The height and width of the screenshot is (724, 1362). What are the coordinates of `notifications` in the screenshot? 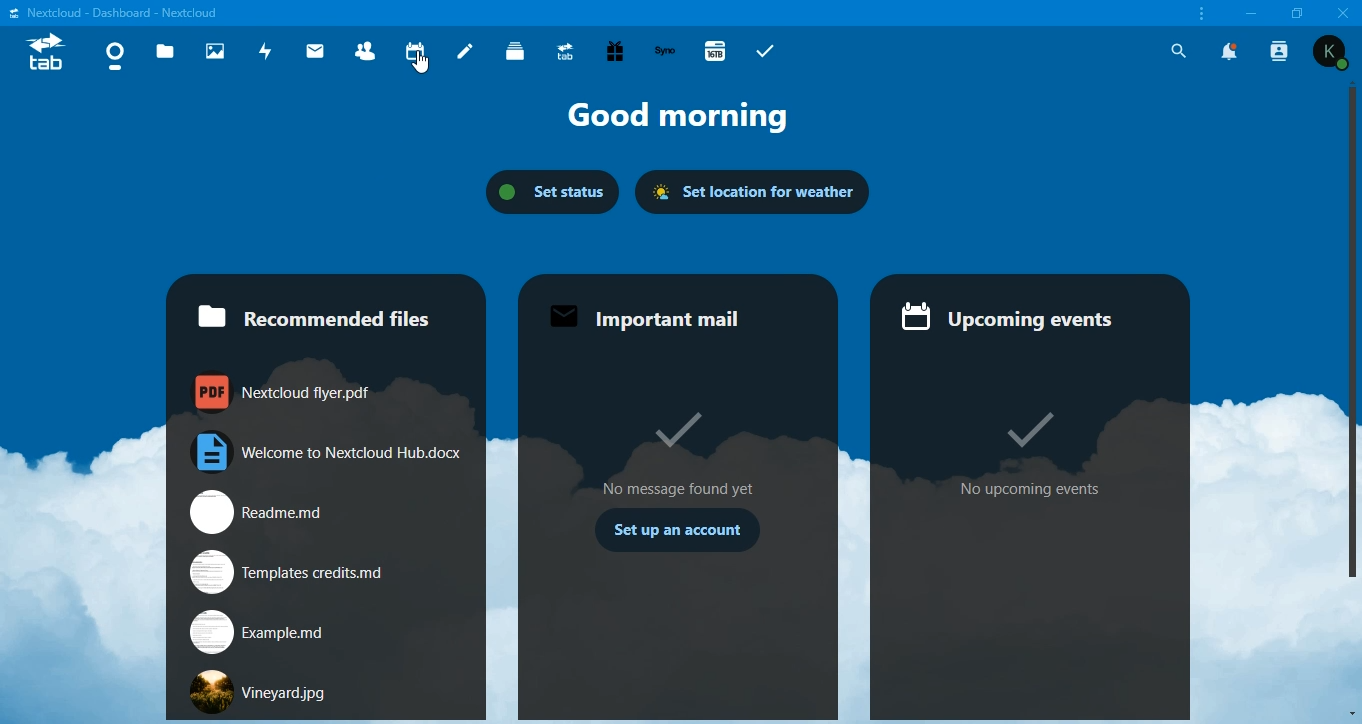 It's located at (1231, 51).